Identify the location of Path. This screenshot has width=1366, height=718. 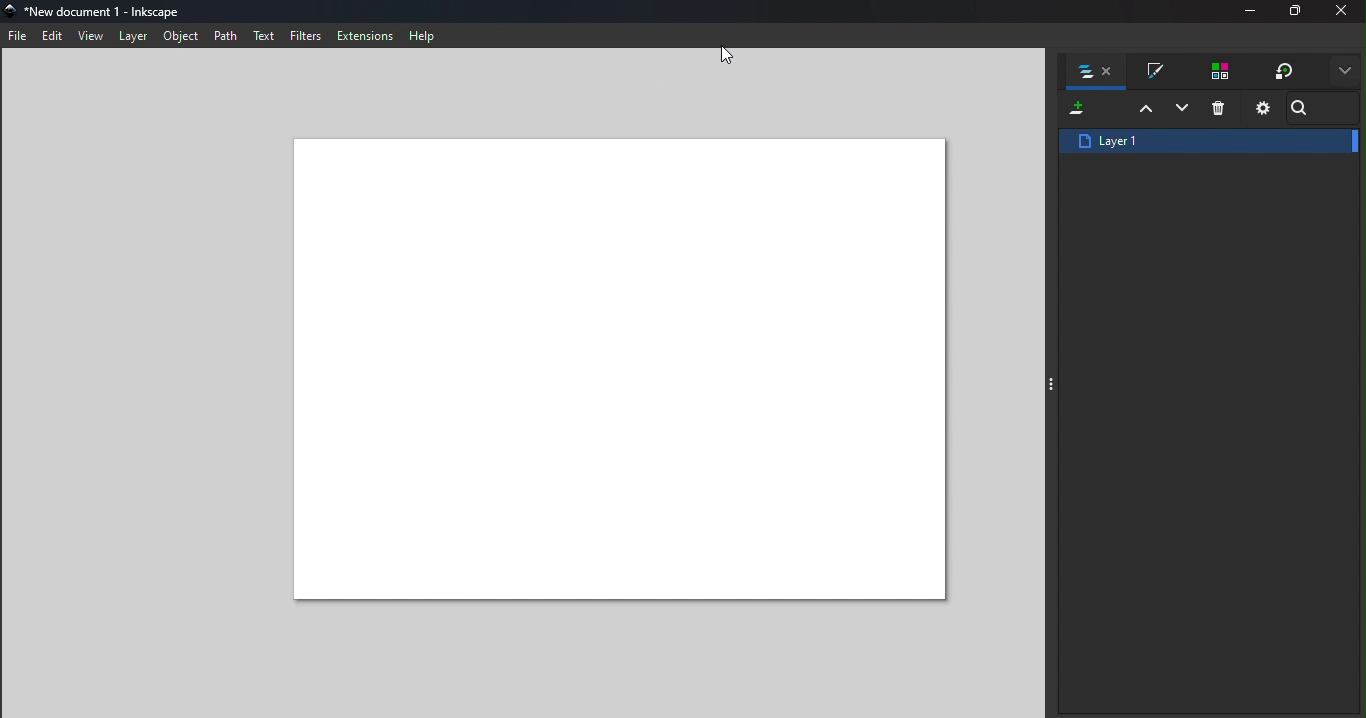
(223, 35).